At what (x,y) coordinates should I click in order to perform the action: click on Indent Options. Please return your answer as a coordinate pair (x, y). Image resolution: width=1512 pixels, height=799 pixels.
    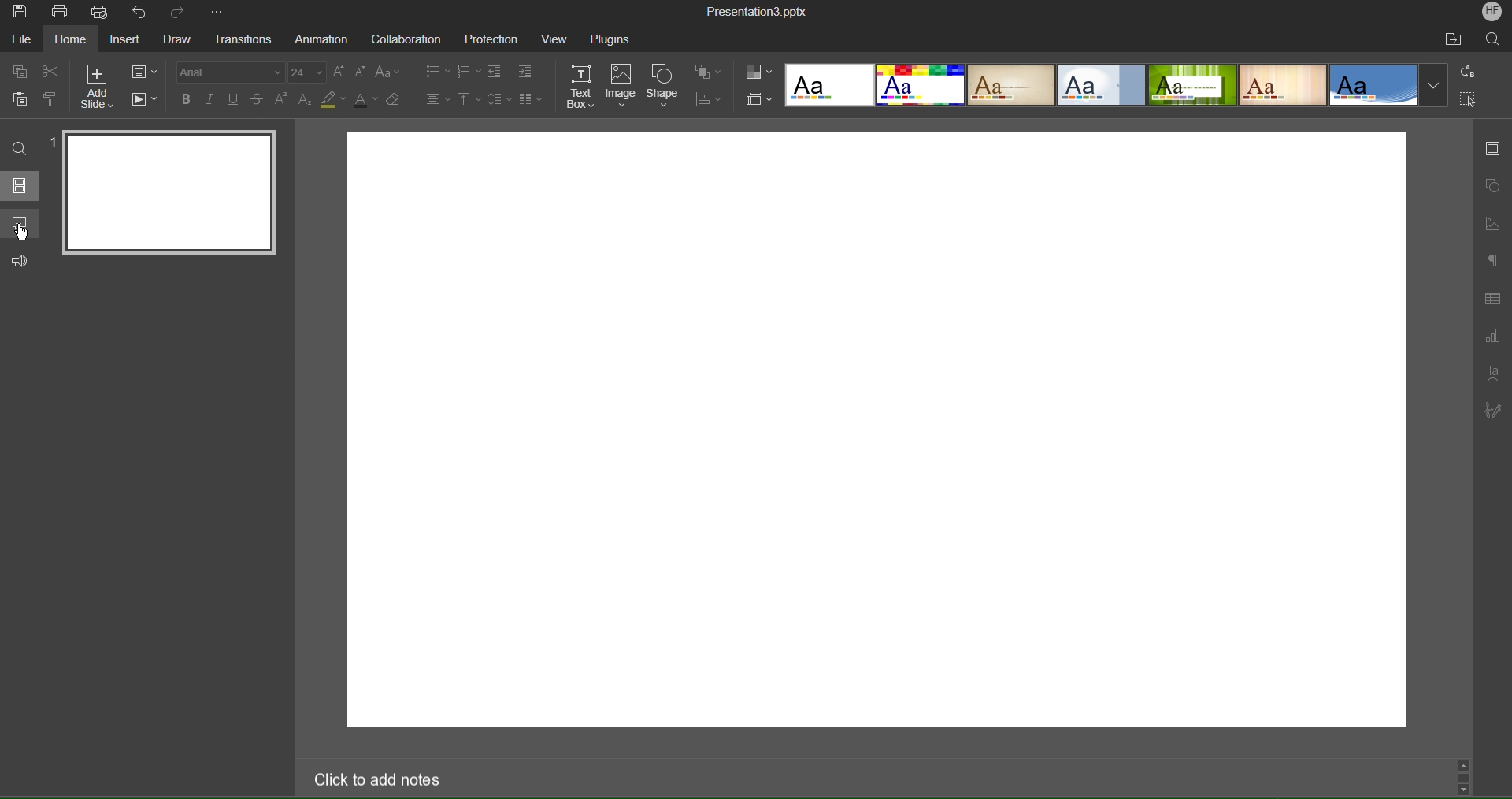
    Looking at the image, I should click on (499, 72).